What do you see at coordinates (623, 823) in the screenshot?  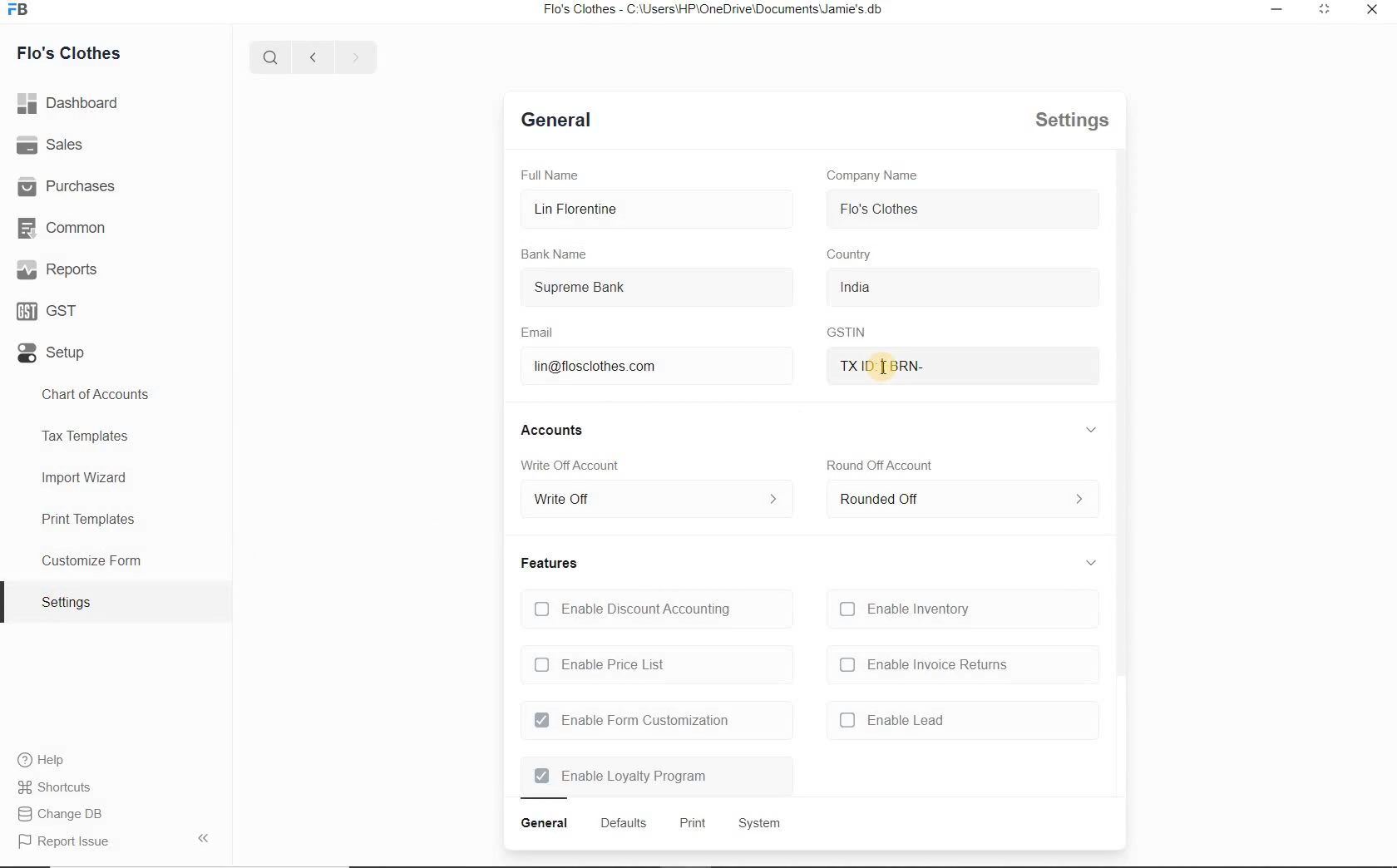 I see `defaults` at bounding box center [623, 823].